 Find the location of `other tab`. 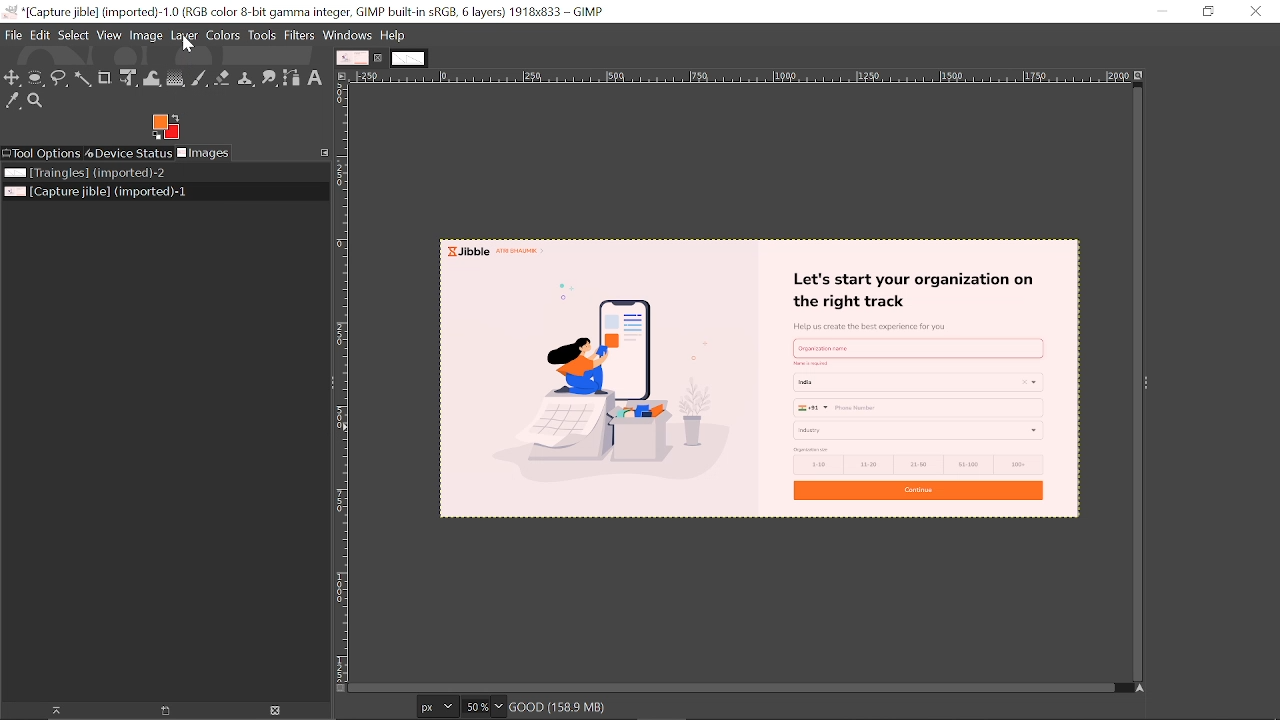

other tab is located at coordinates (409, 59).